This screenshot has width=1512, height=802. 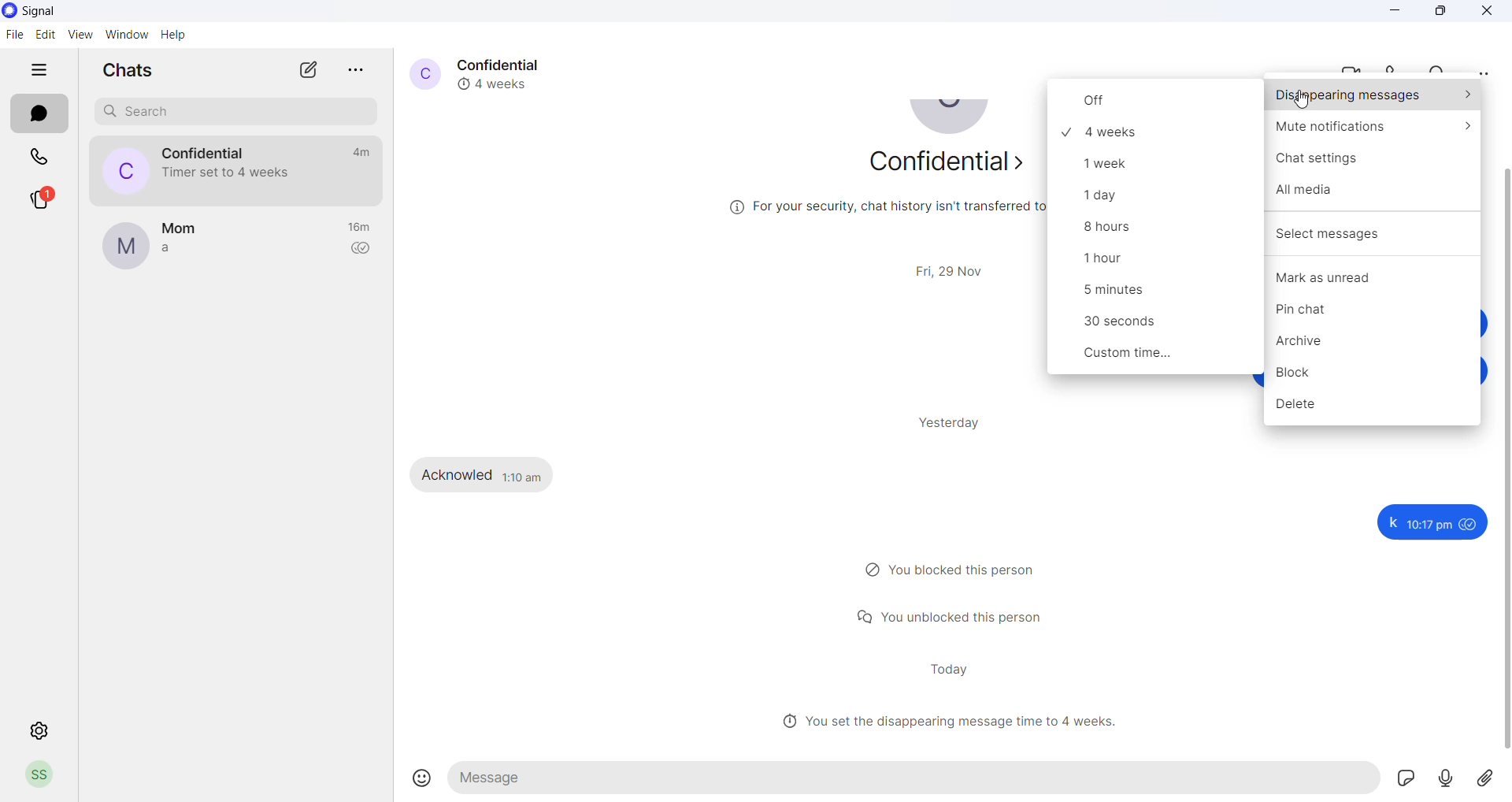 What do you see at coordinates (42, 35) in the screenshot?
I see `edit` at bounding box center [42, 35].